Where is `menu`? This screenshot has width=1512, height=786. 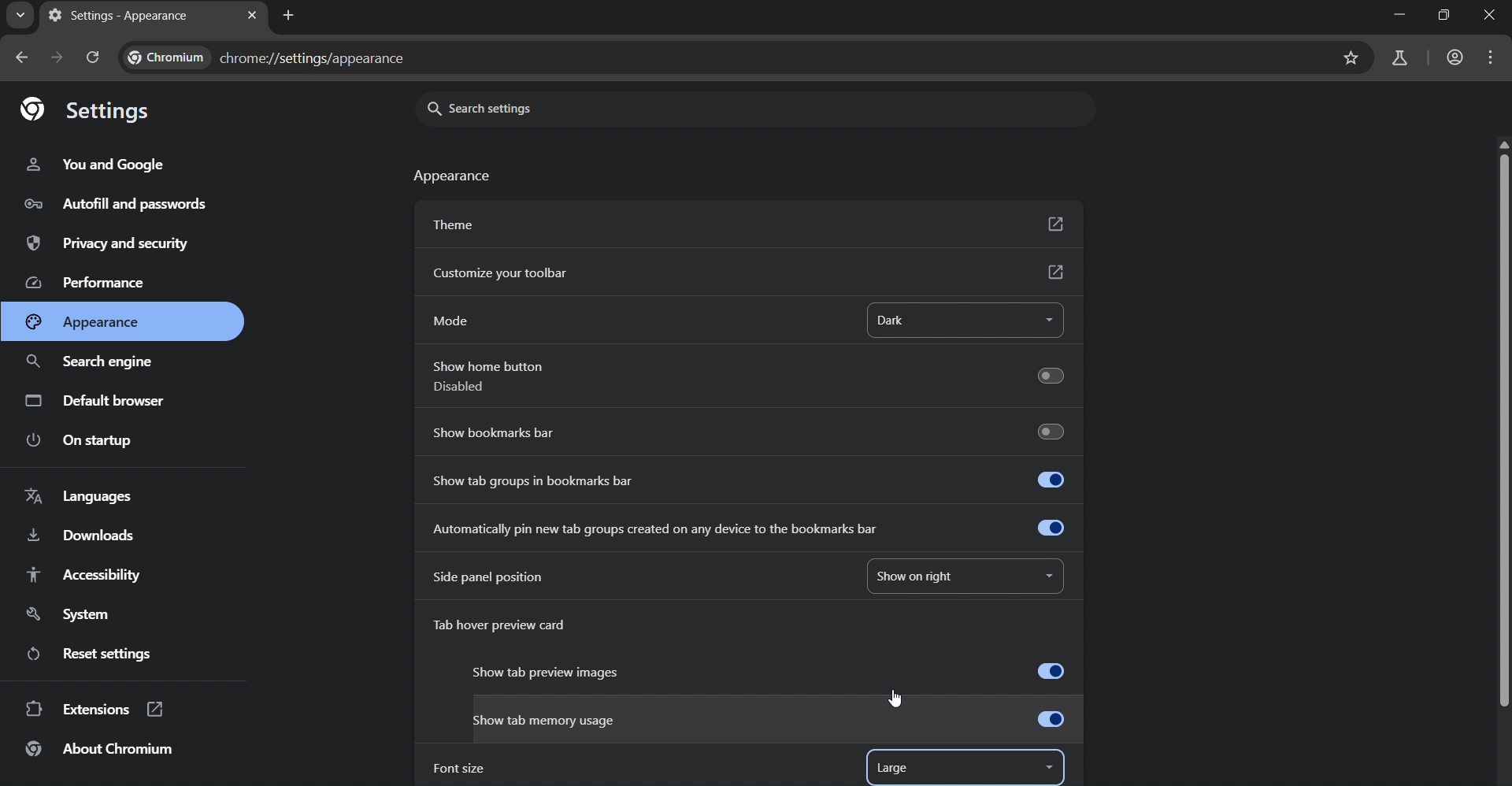 menu is located at coordinates (1493, 60).